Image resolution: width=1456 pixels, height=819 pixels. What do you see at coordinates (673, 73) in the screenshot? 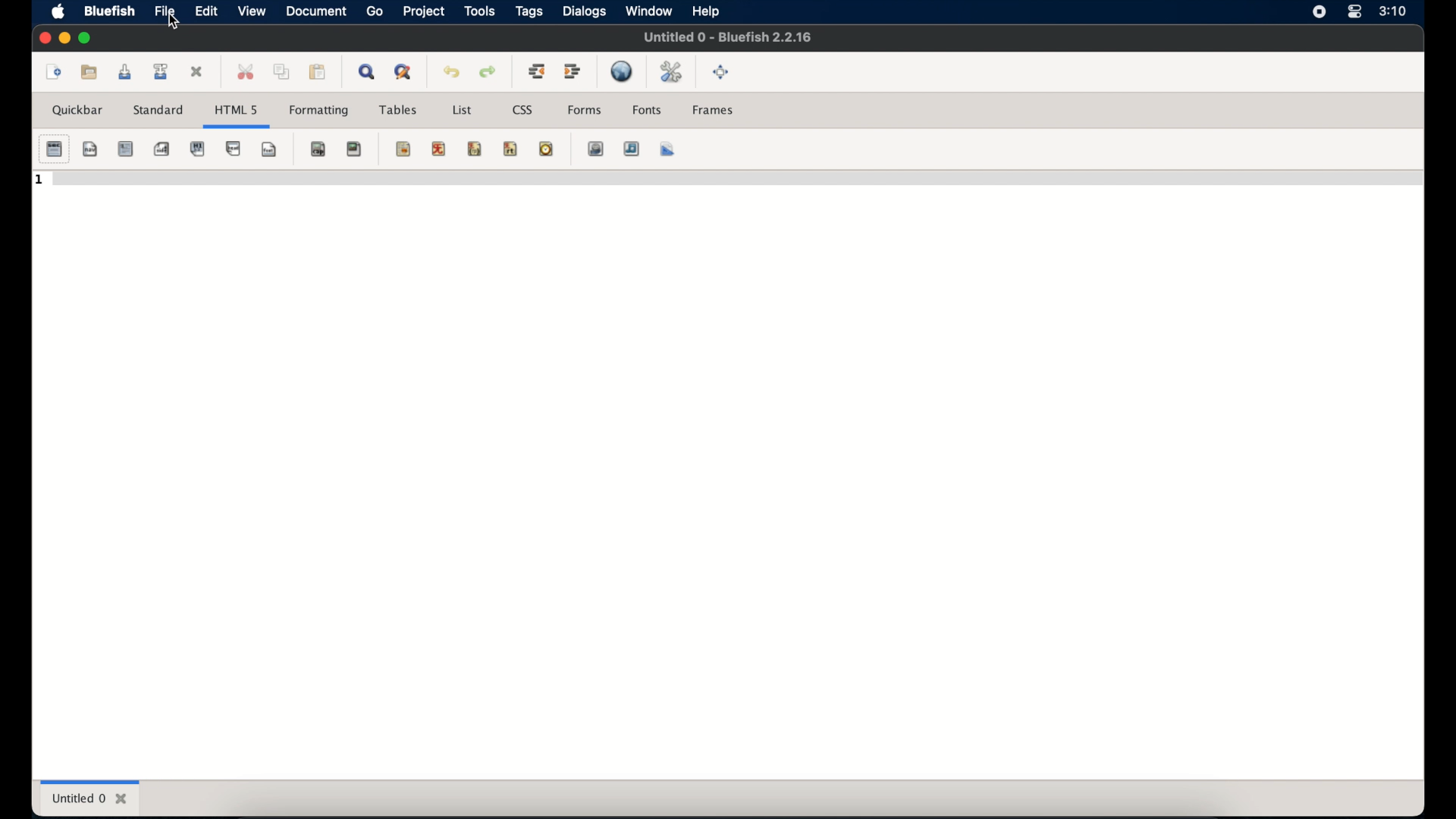
I see `edit preferences` at bounding box center [673, 73].